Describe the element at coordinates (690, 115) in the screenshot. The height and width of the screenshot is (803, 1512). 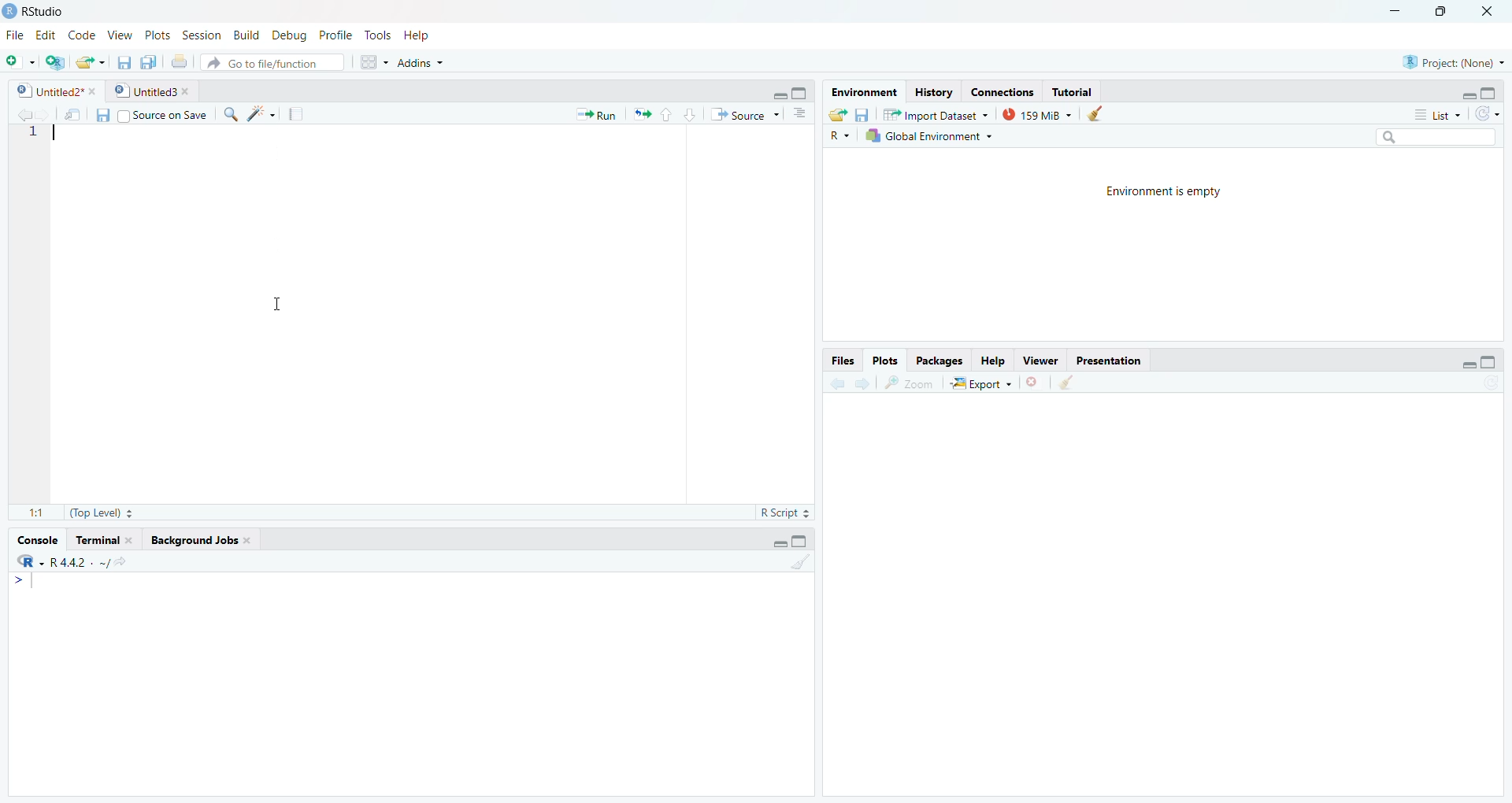
I see `down` at that location.